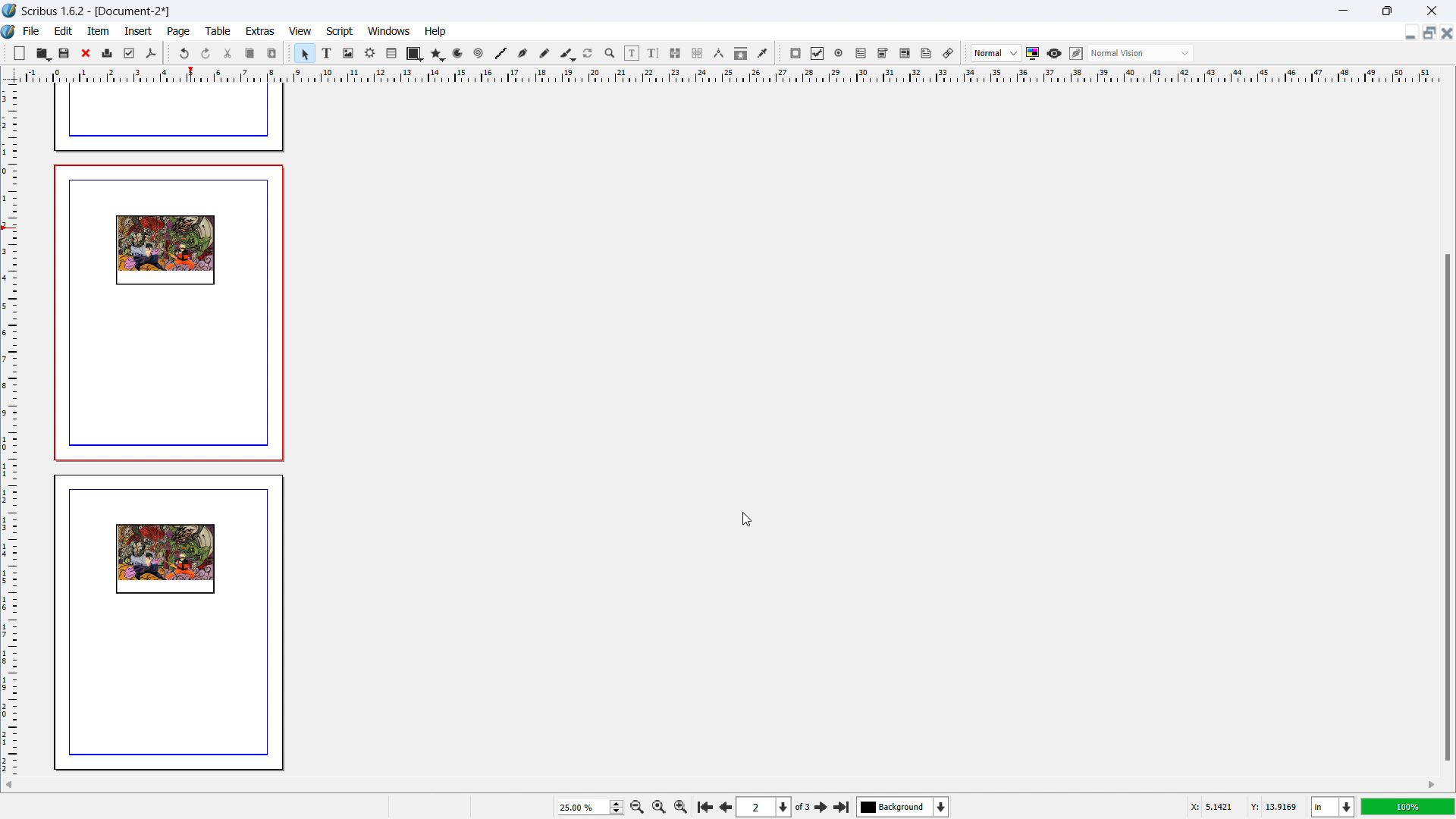 This screenshot has height=819, width=1456. Describe the element at coordinates (300, 32) in the screenshot. I see `view` at that location.